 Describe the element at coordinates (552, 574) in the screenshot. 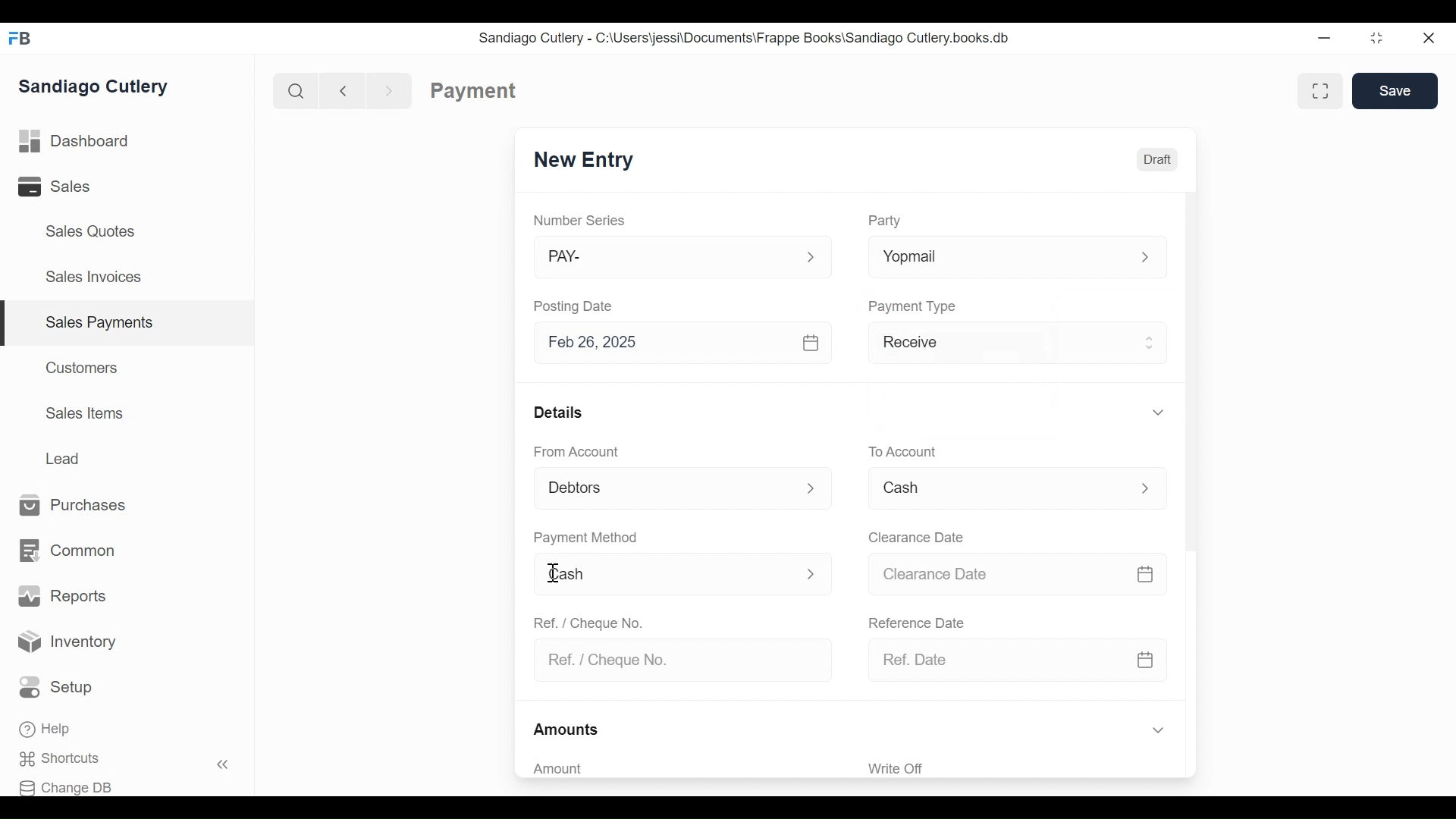

I see `cursor` at that location.